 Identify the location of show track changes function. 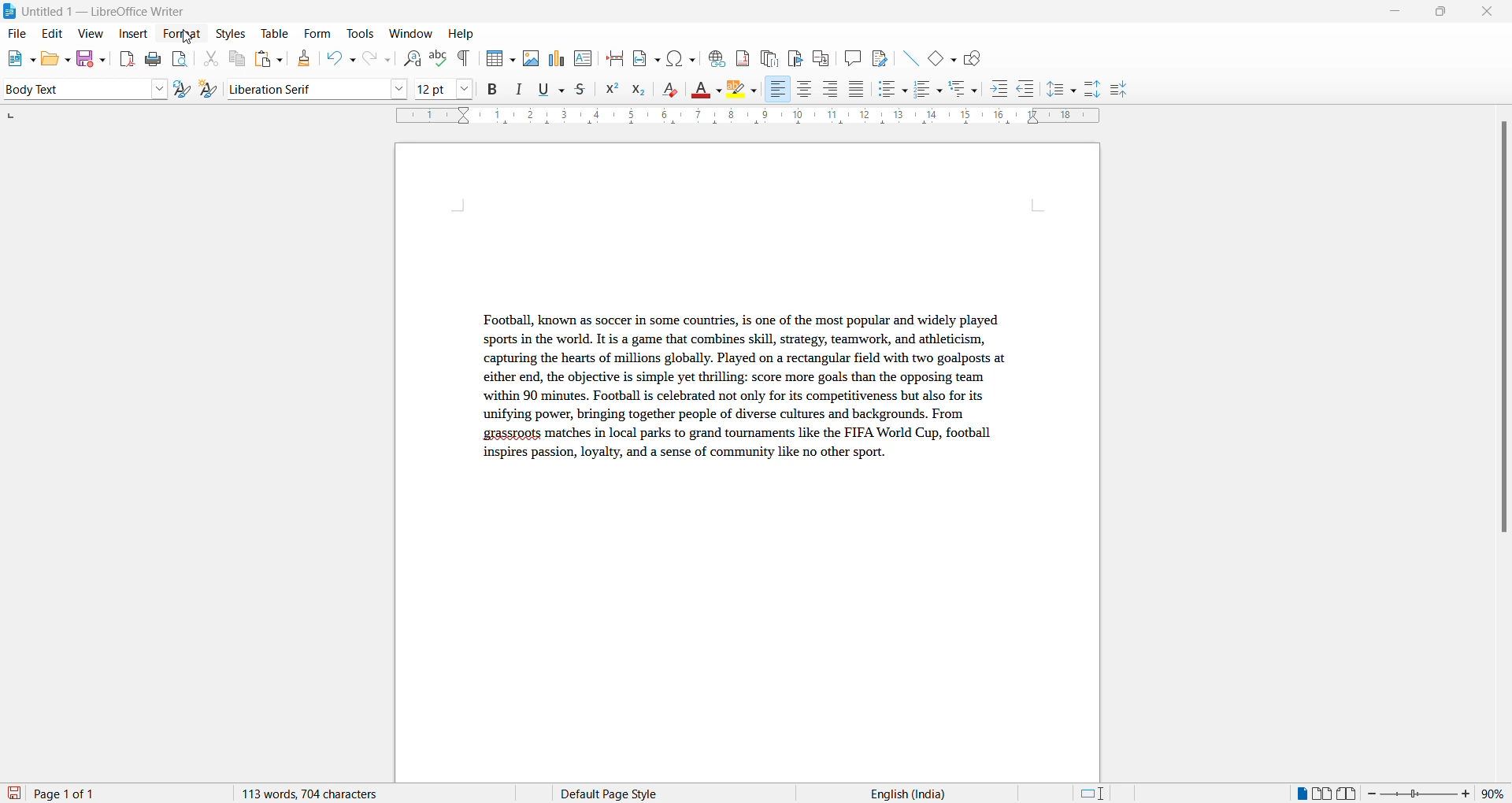
(821, 57).